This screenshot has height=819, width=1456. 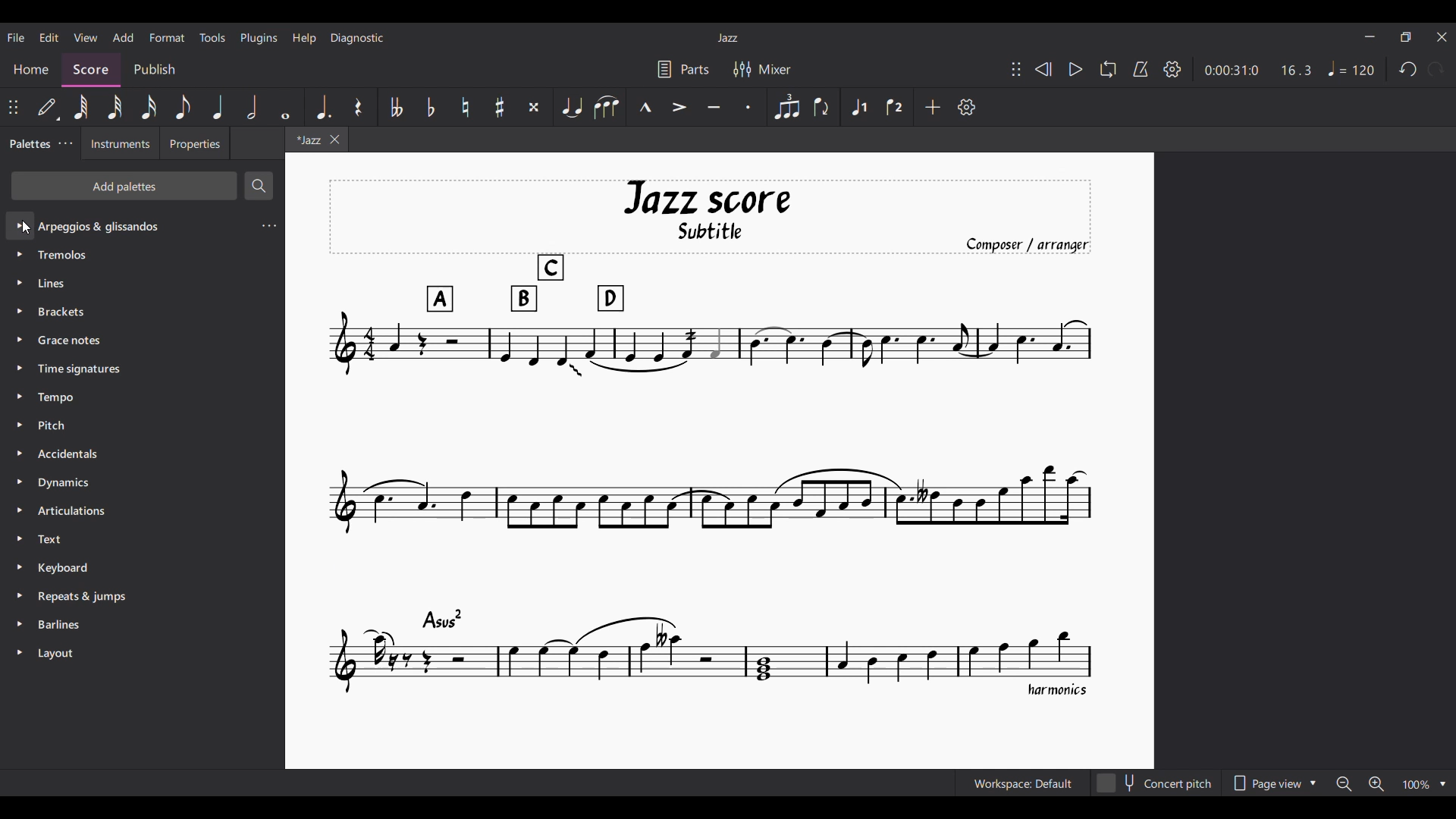 I want to click on Whole note, so click(x=286, y=107).